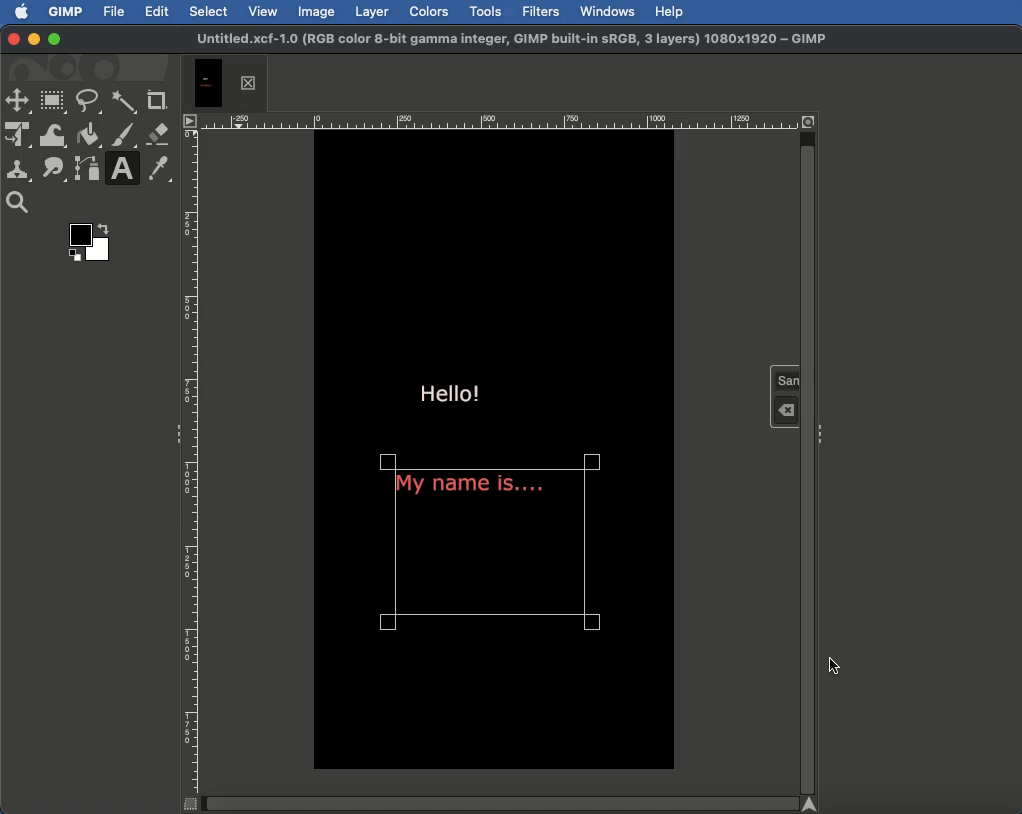 The width and height of the screenshot is (1022, 814). Describe the element at coordinates (192, 122) in the screenshot. I see `Options` at that location.